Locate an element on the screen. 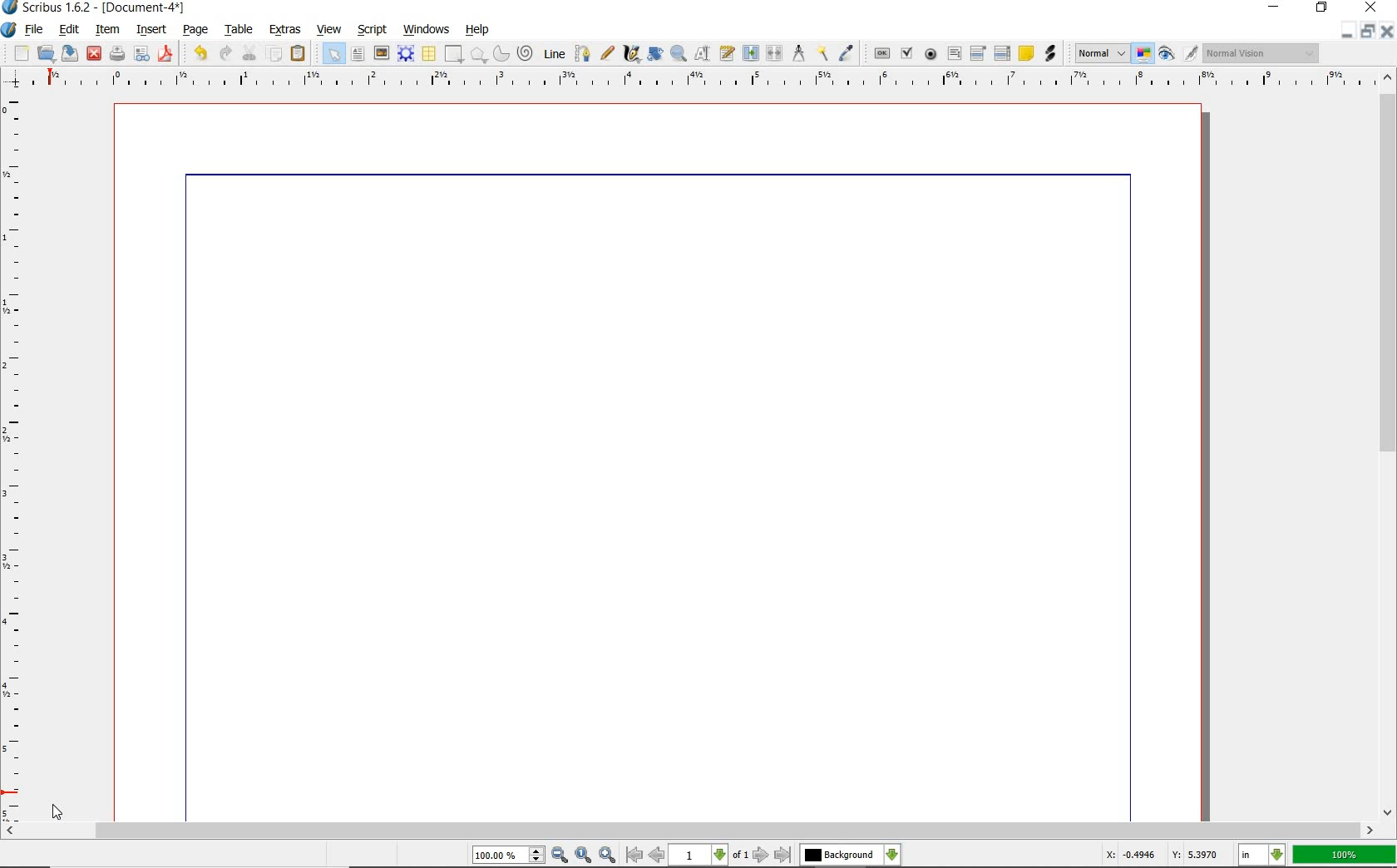 The width and height of the screenshot is (1397, 868). pdf push button is located at coordinates (879, 52).